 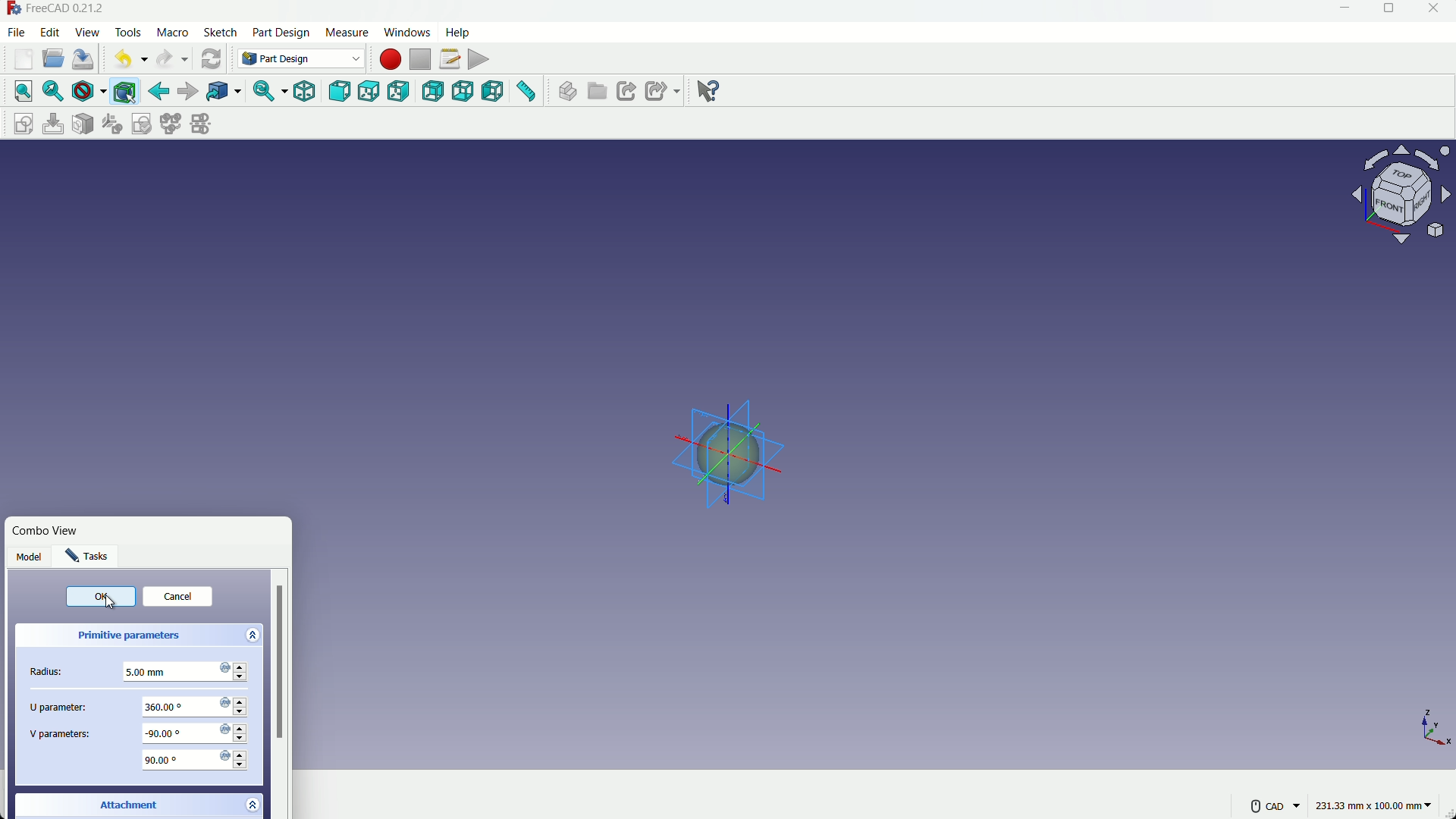 What do you see at coordinates (493, 91) in the screenshot?
I see `left view` at bounding box center [493, 91].